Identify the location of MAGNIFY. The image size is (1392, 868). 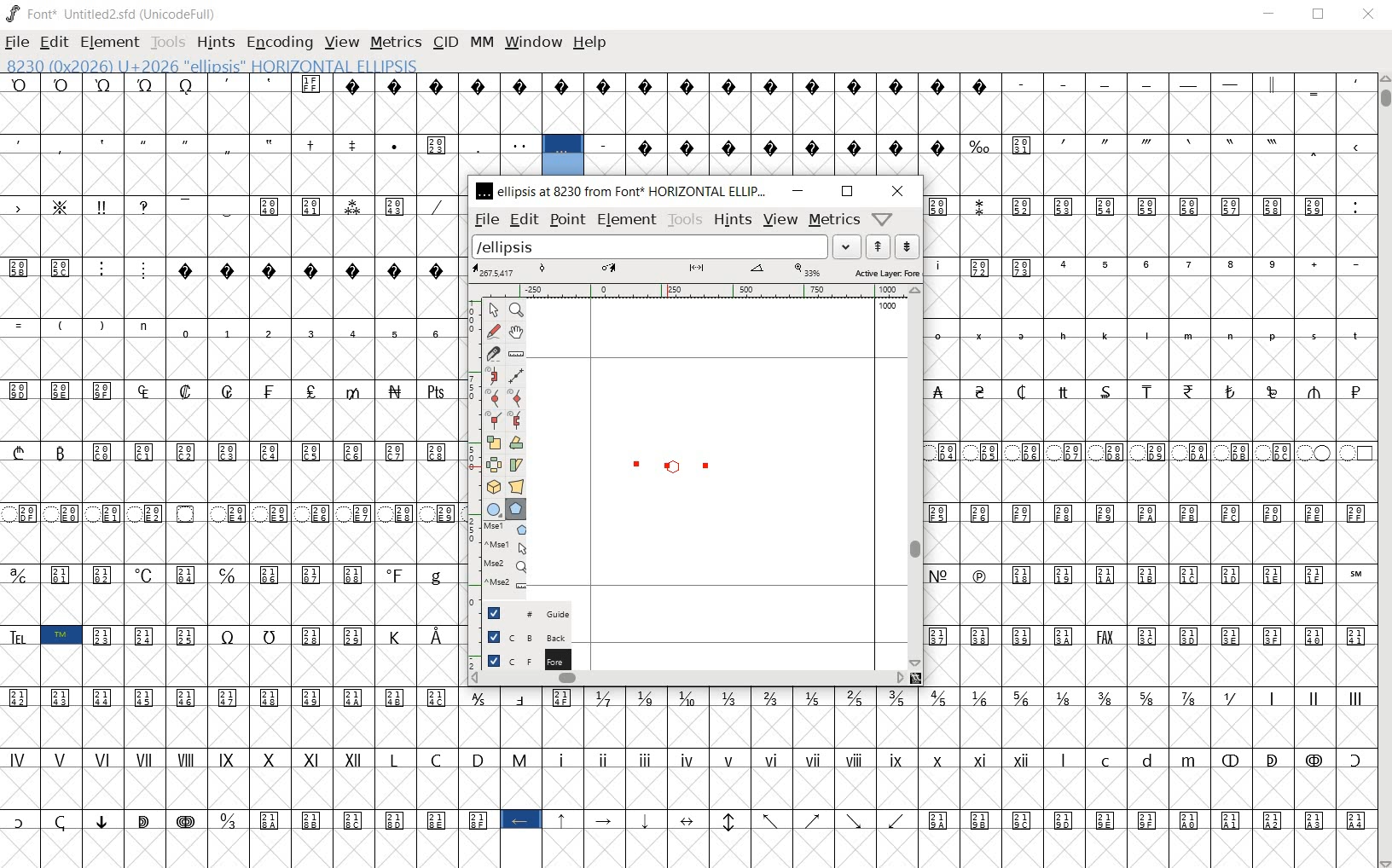
(516, 310).